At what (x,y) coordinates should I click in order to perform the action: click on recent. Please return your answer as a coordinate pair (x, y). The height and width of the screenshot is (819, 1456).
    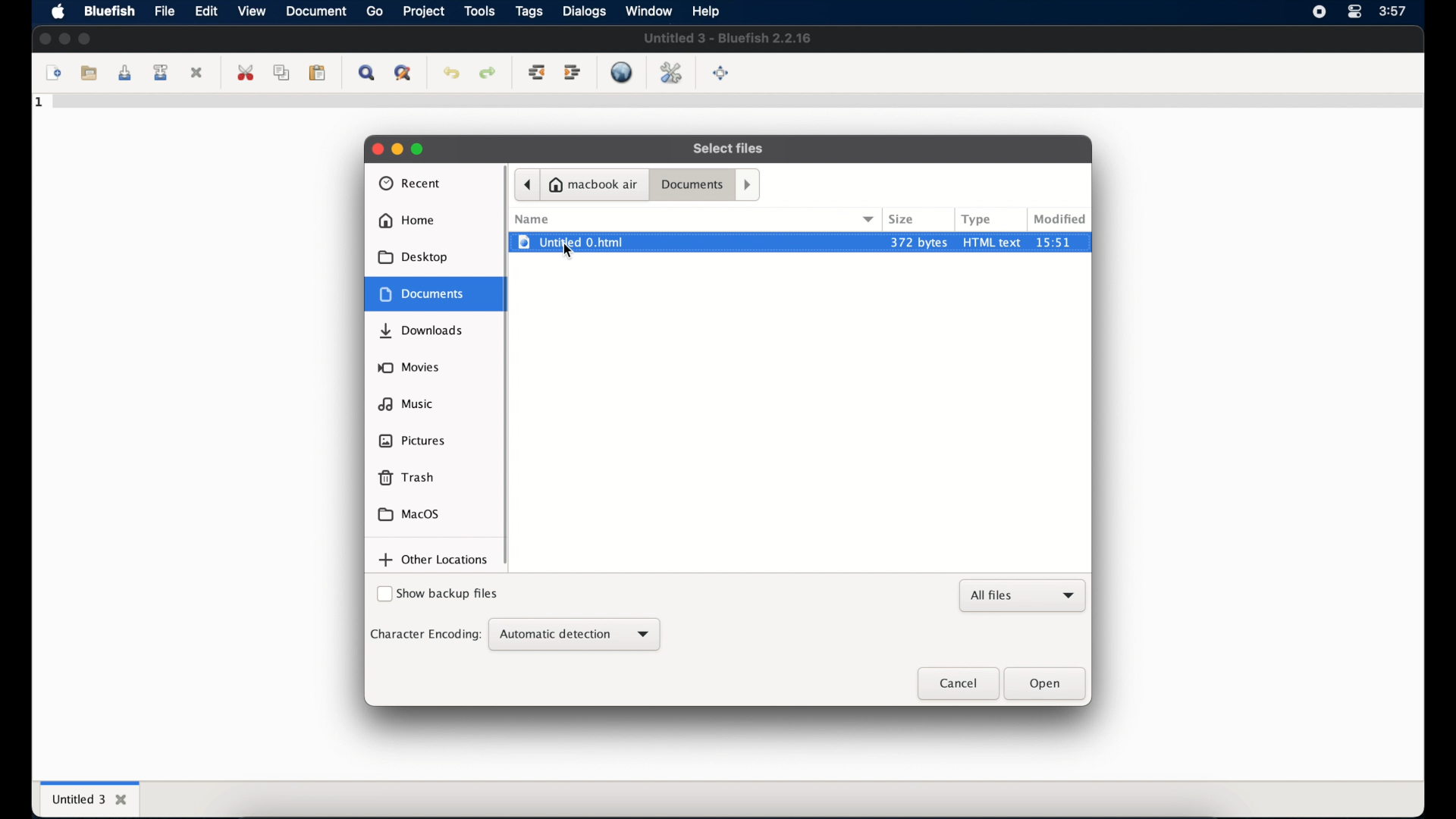
    Looking at the image, I should click on (410, 184).